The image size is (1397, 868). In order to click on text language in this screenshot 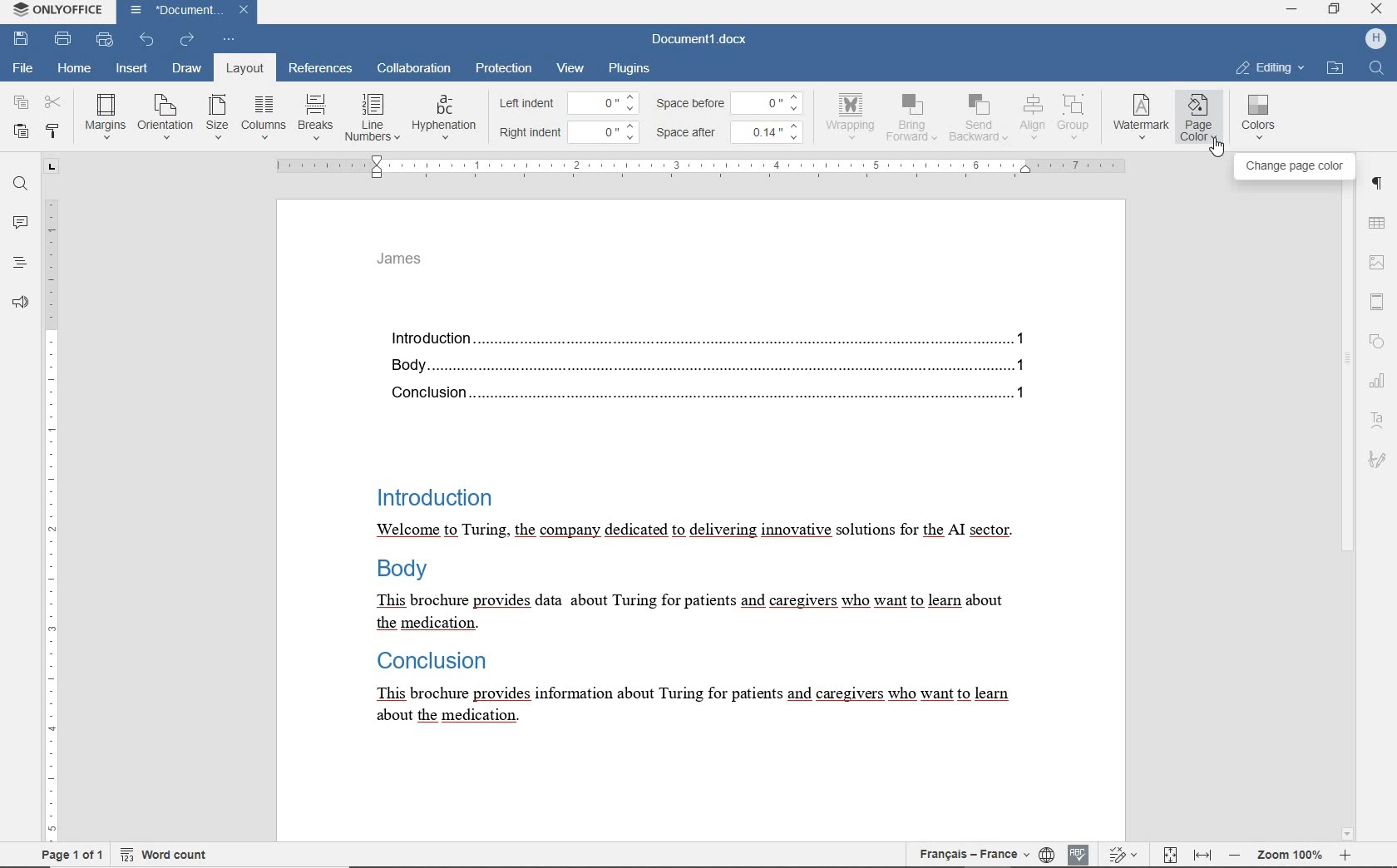, I will do `click(970, 852)`.